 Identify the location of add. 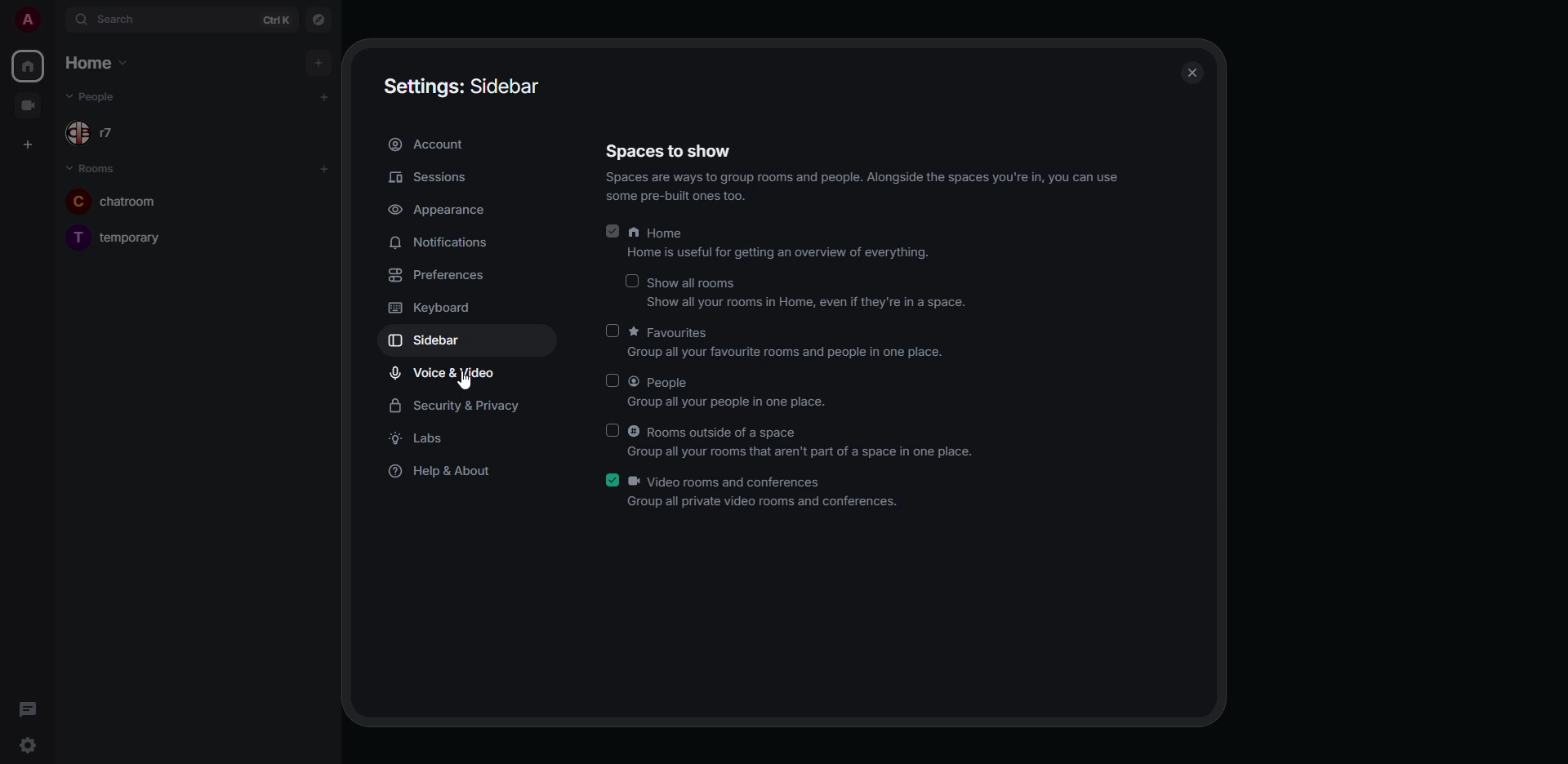
(324, 96).